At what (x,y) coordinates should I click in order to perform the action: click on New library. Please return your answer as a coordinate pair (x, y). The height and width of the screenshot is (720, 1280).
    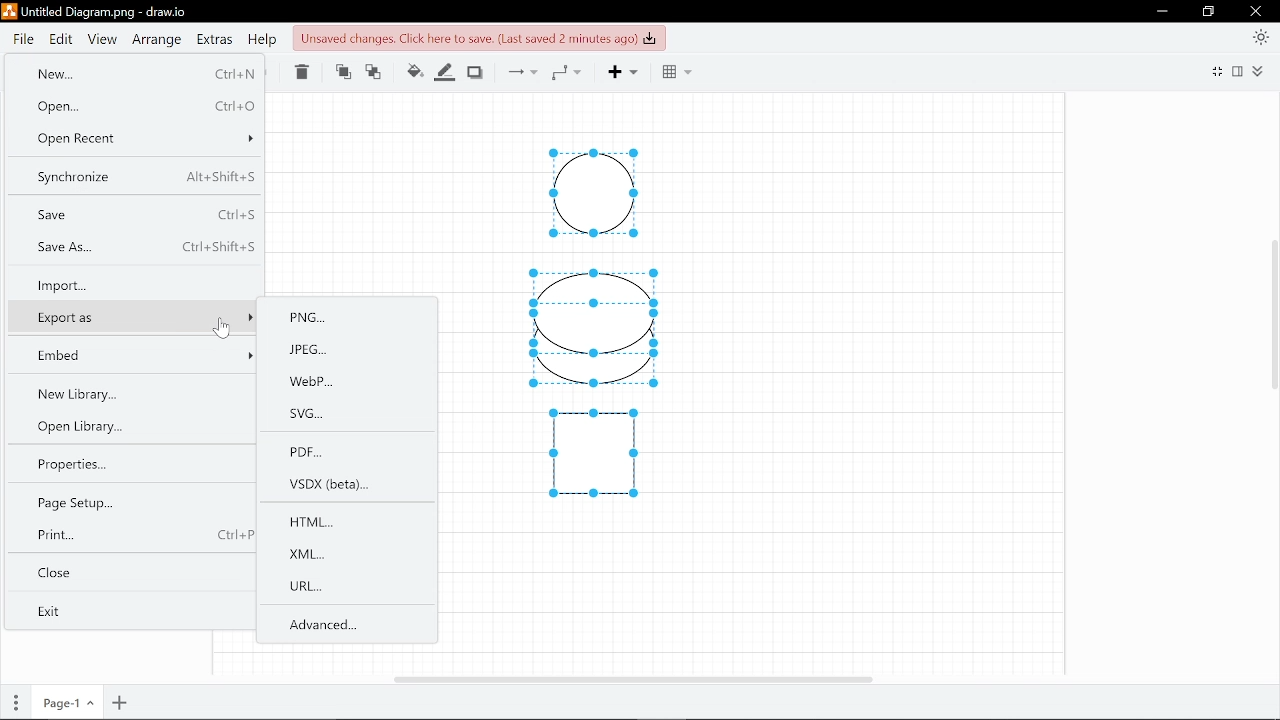
    Looking at the image, I should click on (130, 394).